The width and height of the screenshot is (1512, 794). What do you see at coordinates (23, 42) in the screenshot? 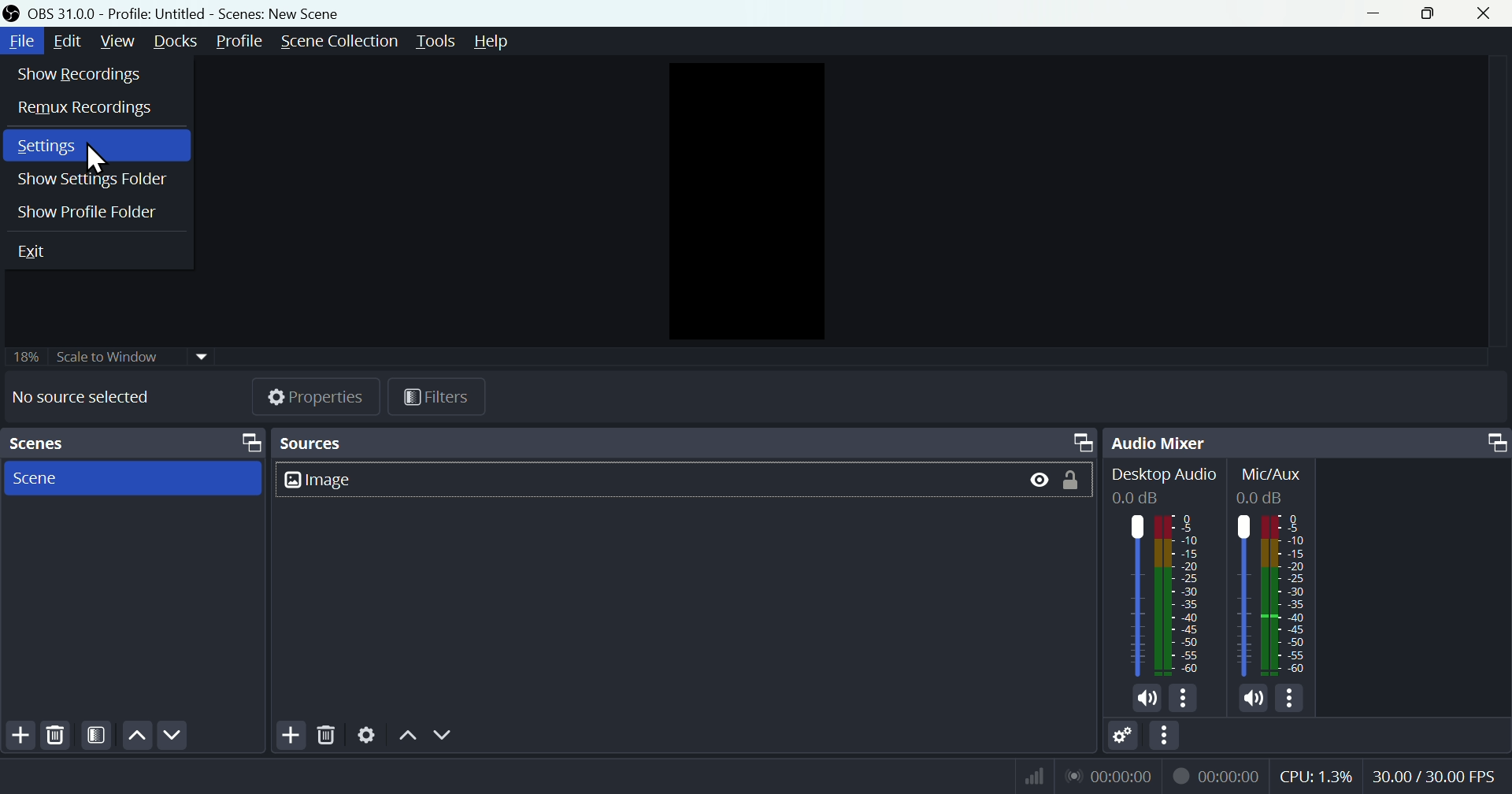
I see `file` at bounding box center [23, 42].